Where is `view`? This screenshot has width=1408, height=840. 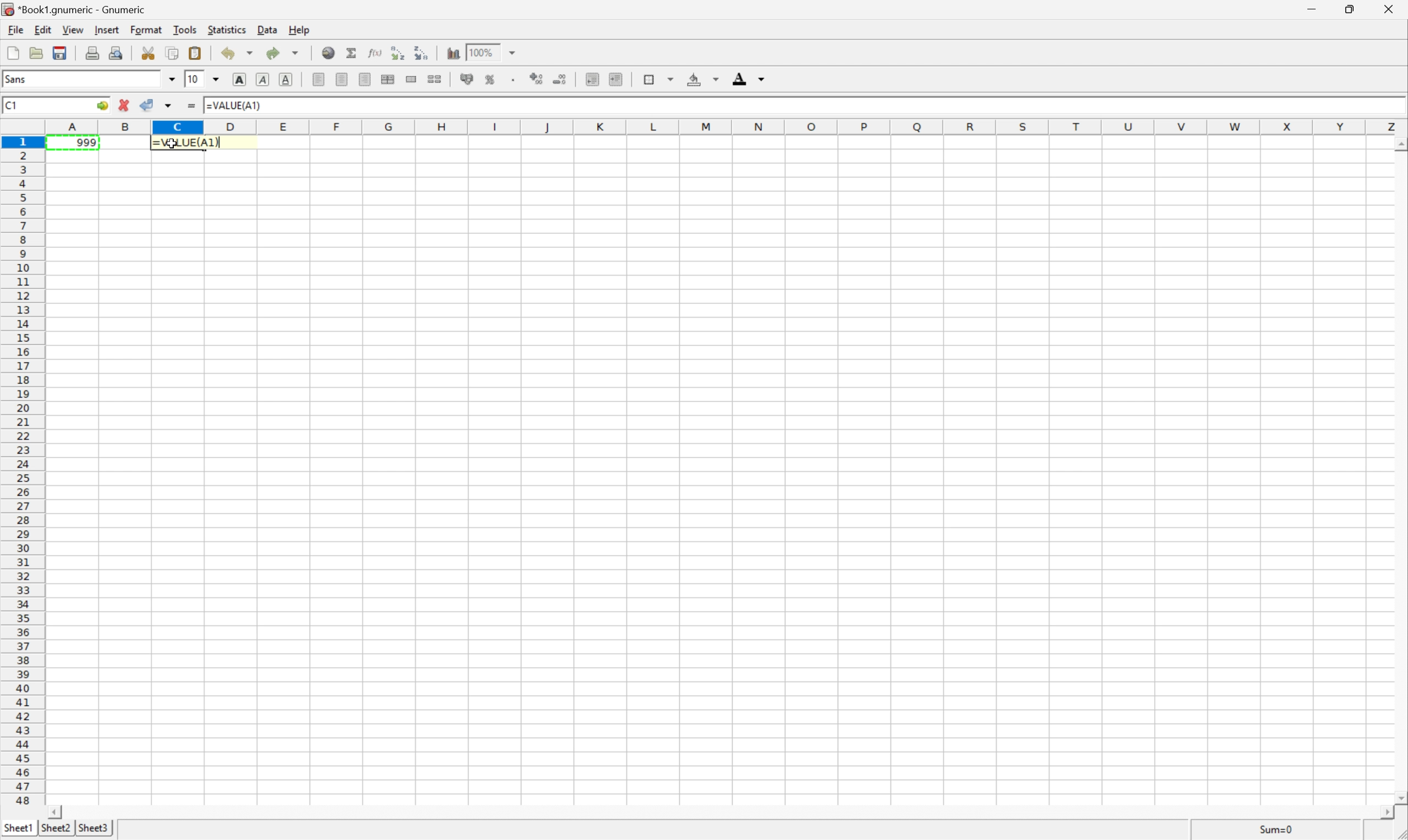
view is located at coordinates (75, 30).